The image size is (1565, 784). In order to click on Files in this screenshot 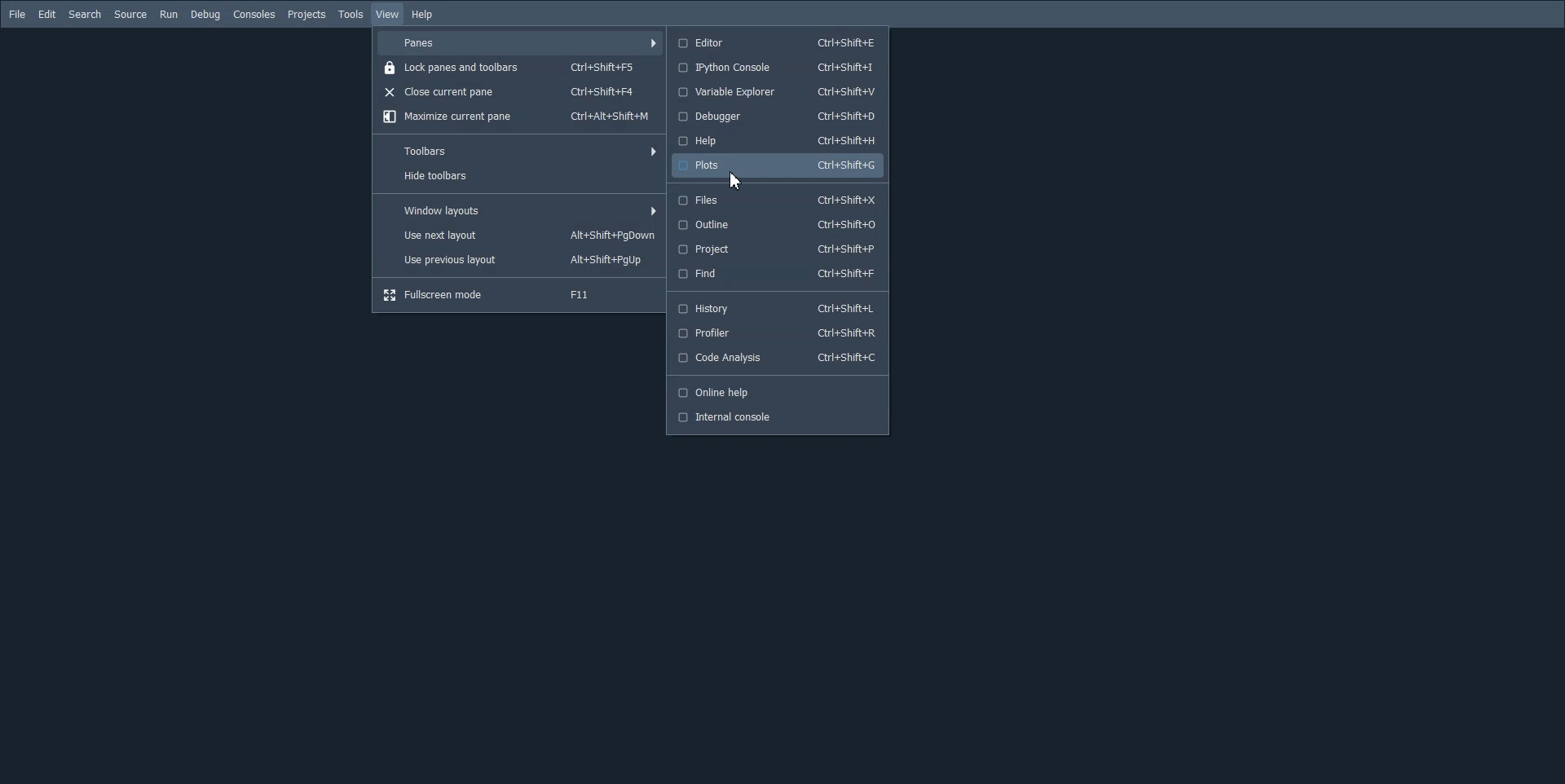, I will do `click(779, 200)`.